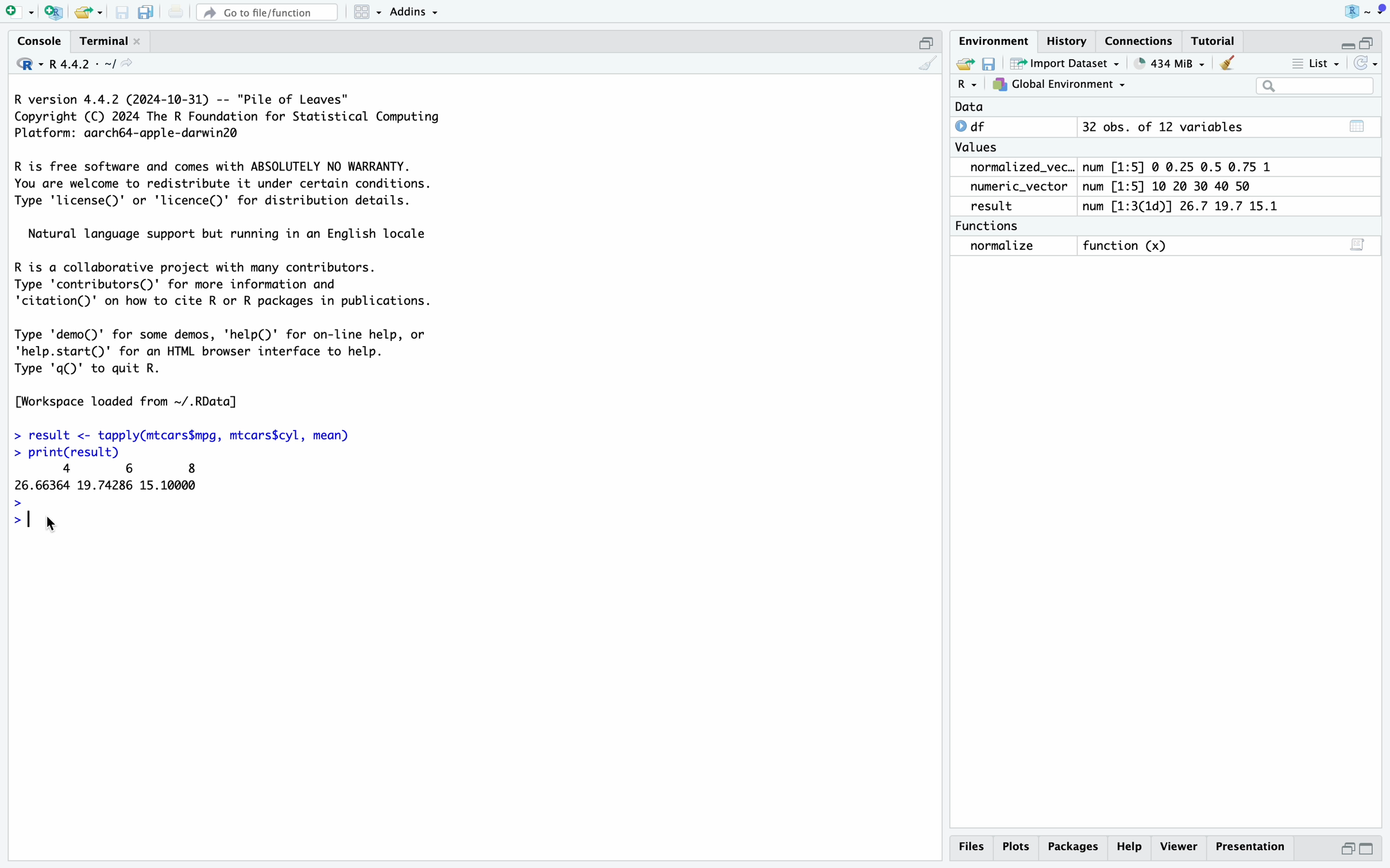  Describe the element at coordinates (994, 40) in the screenshot. I see `Environment` at that location.